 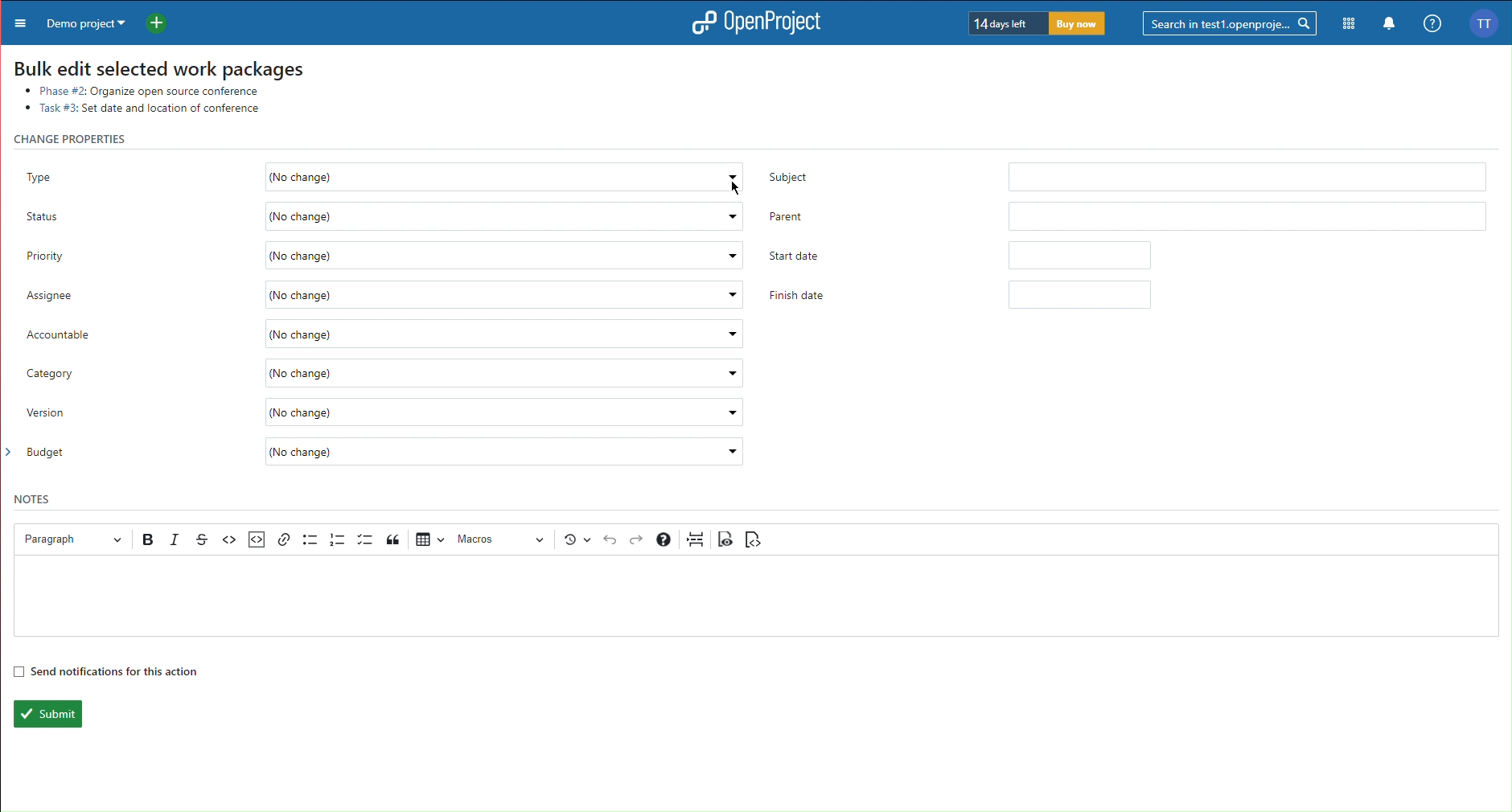 I want to click on Redo, so click(x=638, y=540).